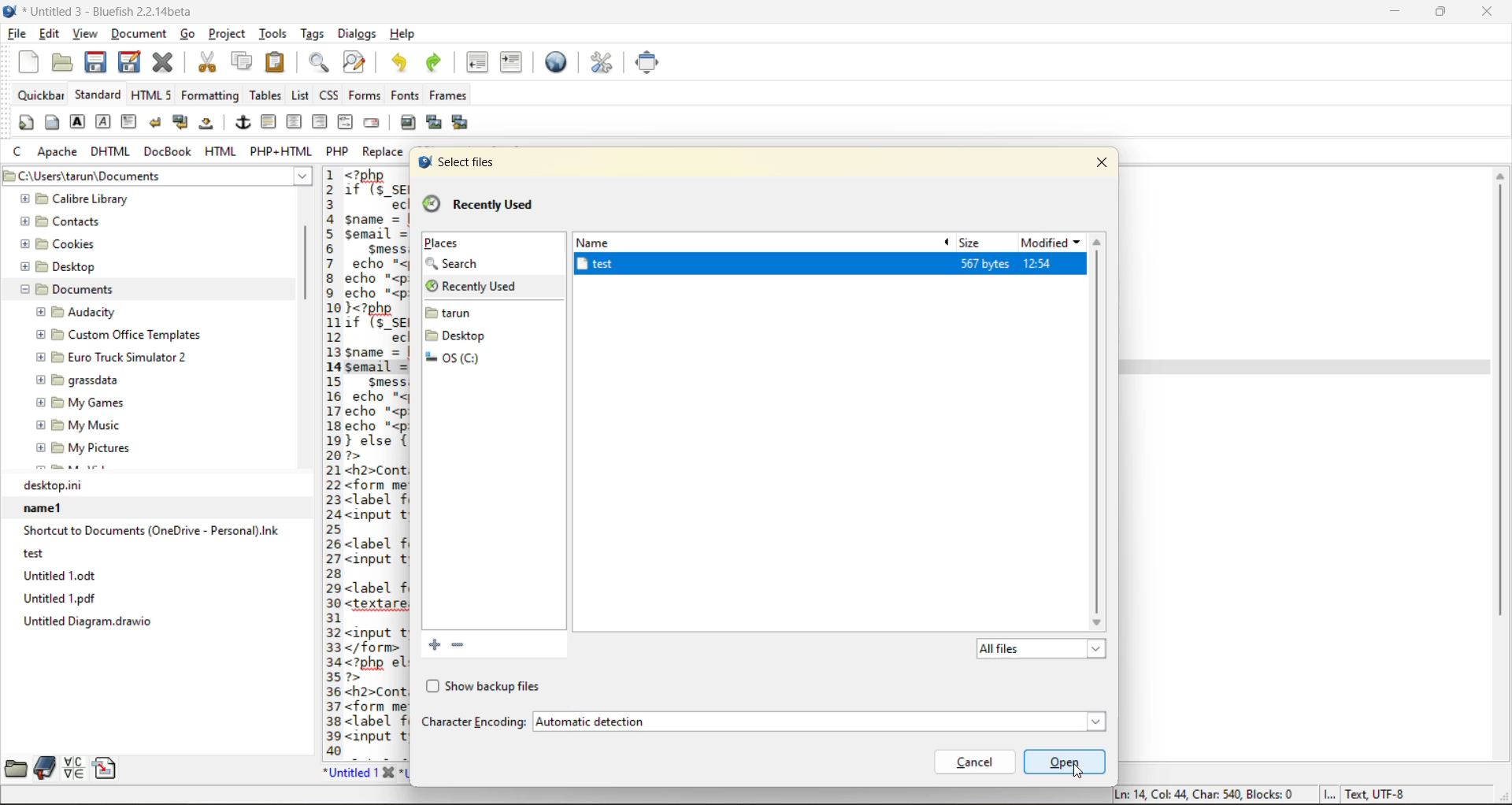 The height and width of the screenshot is (805, 1512). What do you see at coordinates (295, 122) in the screenshot?
I see `center` at bounding box center [295, 122].